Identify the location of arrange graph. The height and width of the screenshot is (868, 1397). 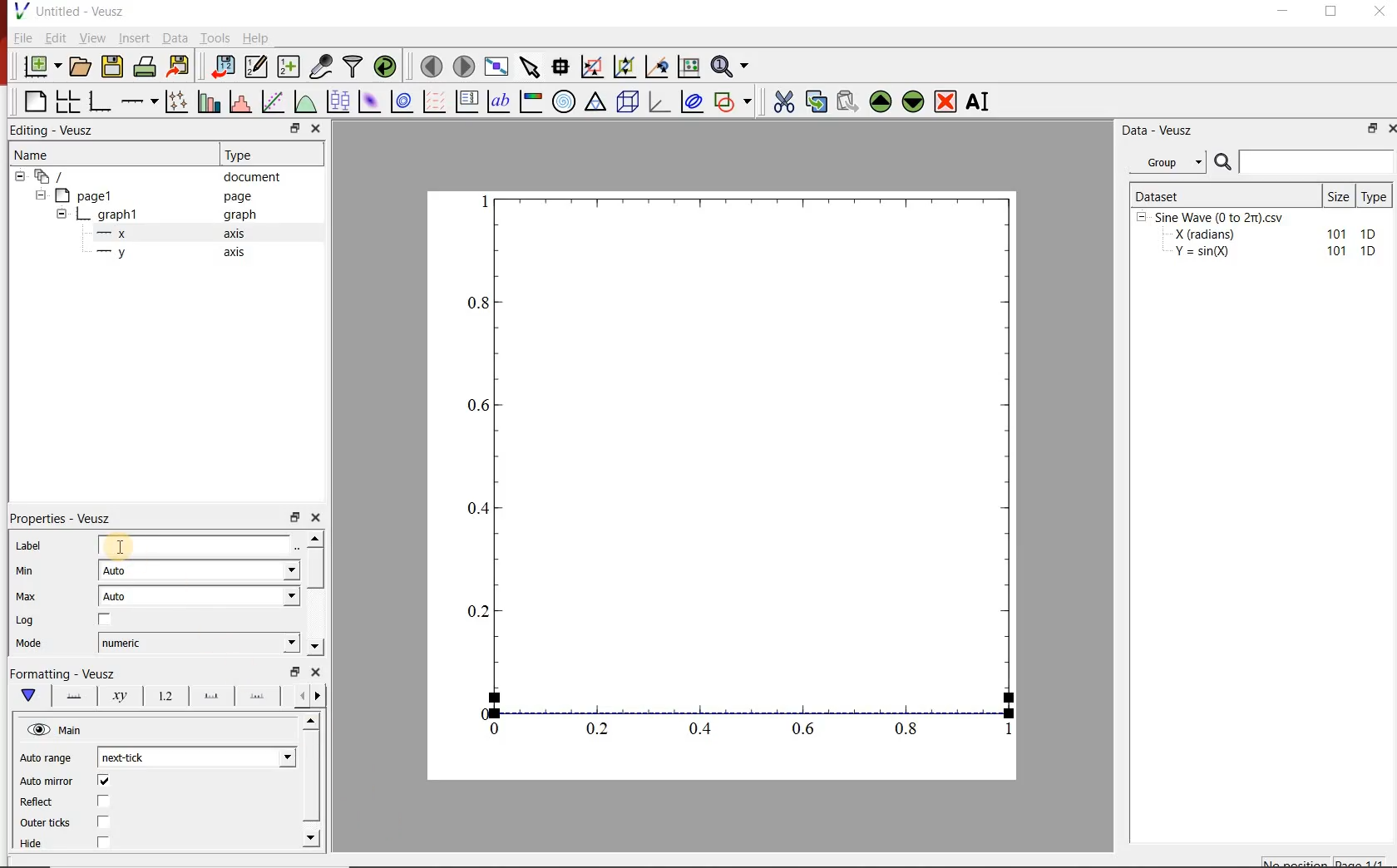
(68, 101).